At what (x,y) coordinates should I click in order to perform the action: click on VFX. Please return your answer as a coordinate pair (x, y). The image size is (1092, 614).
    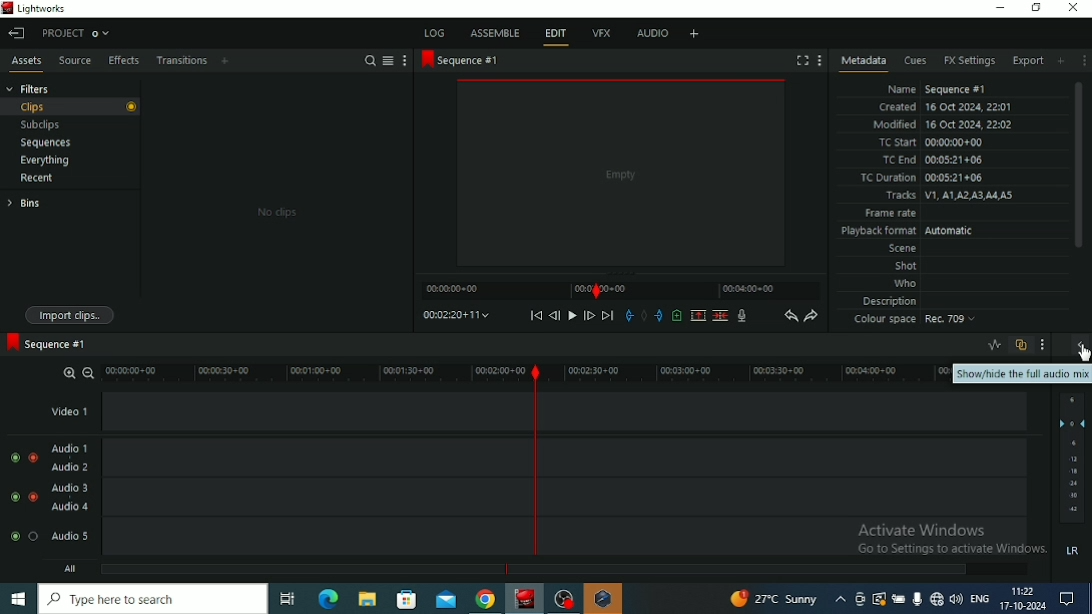
    Looking at the image, I should click on (601, 32).